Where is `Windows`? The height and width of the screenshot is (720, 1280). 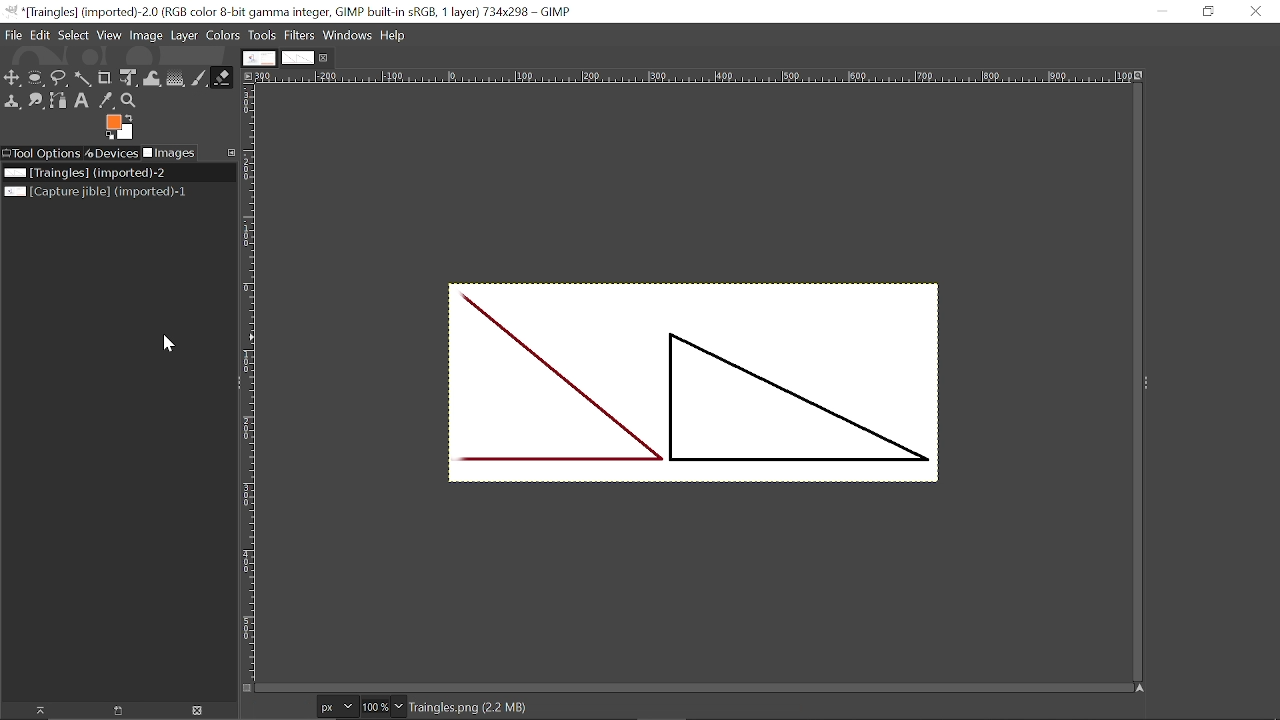
Windows is located at coordinates (347, 35).